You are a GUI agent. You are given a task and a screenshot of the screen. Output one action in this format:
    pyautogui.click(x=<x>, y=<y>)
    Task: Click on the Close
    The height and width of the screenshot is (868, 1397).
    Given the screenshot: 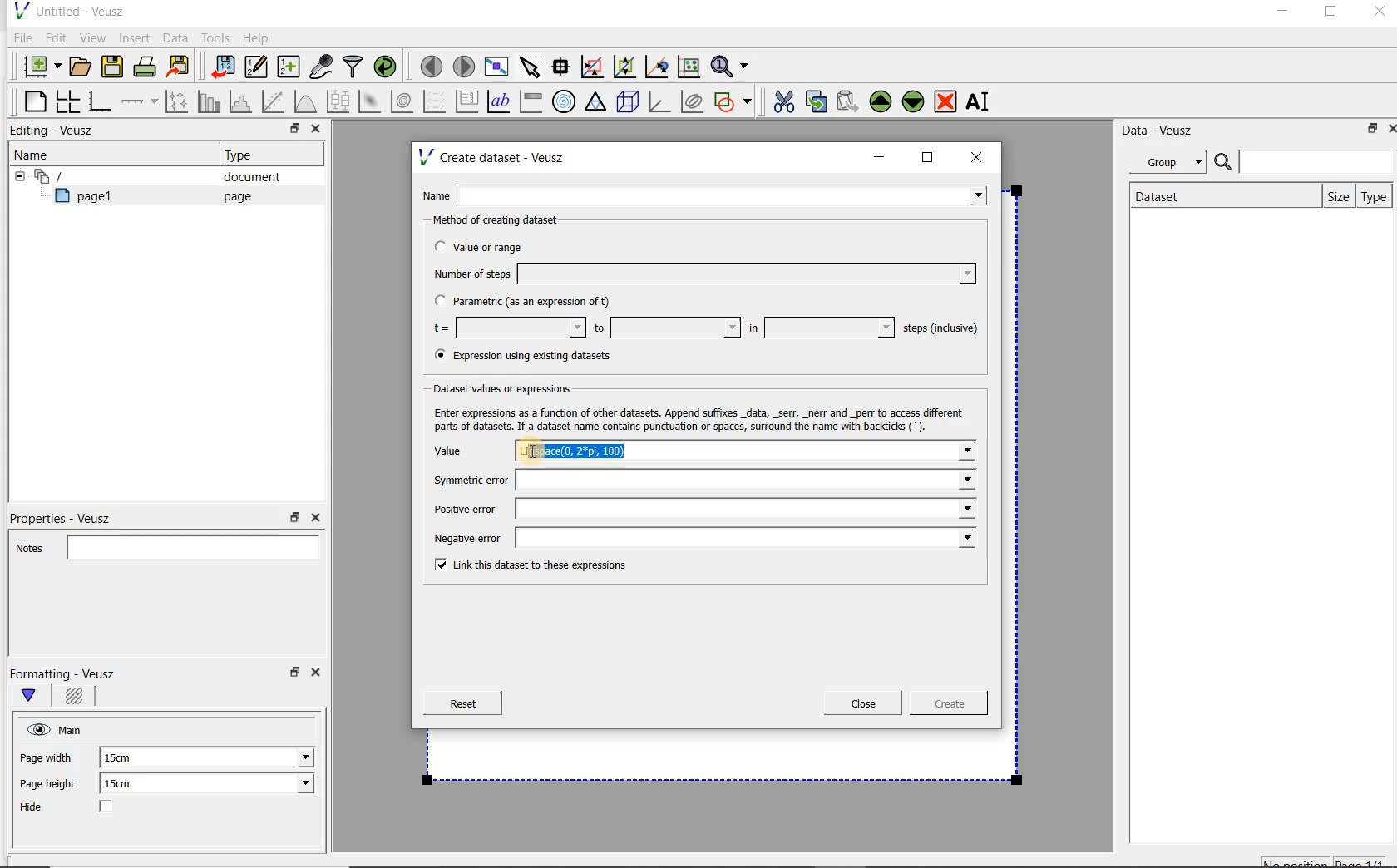 What is the action you would take?
    pyautogui.click(x=1378, y=14)
    